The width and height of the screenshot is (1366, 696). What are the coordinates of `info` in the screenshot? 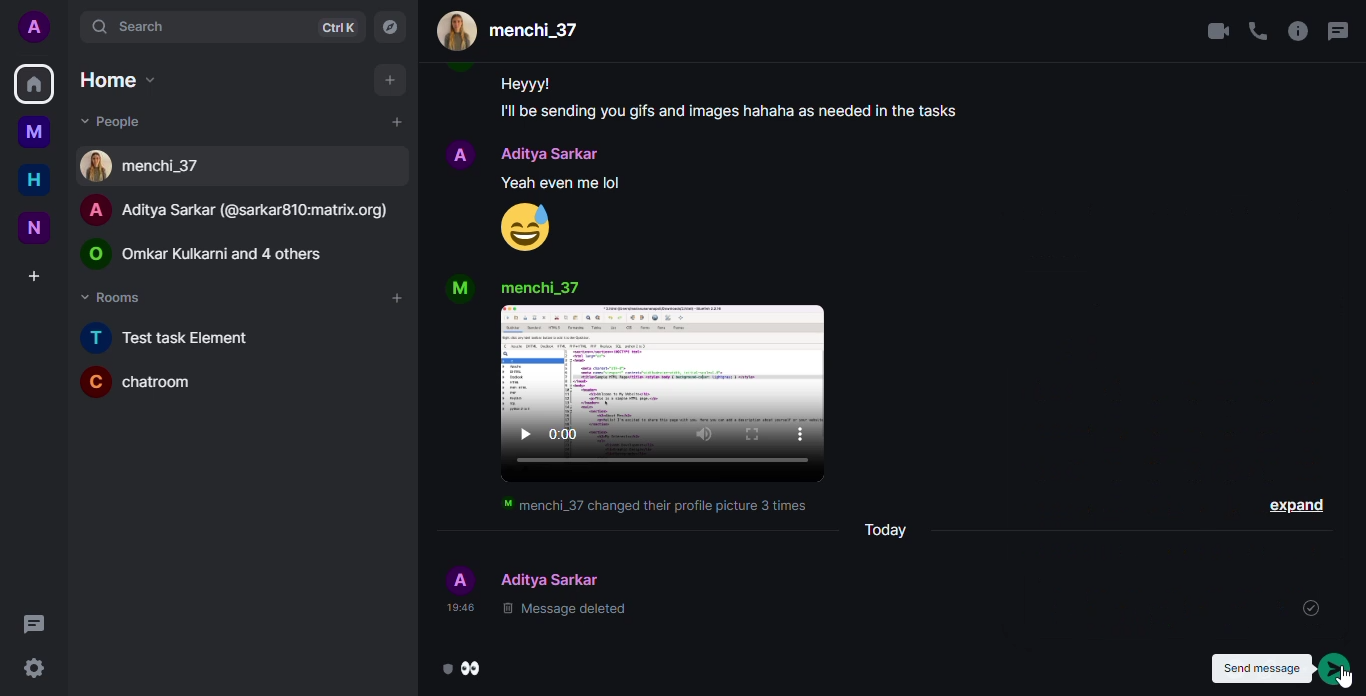 It's located at (1296, 32).